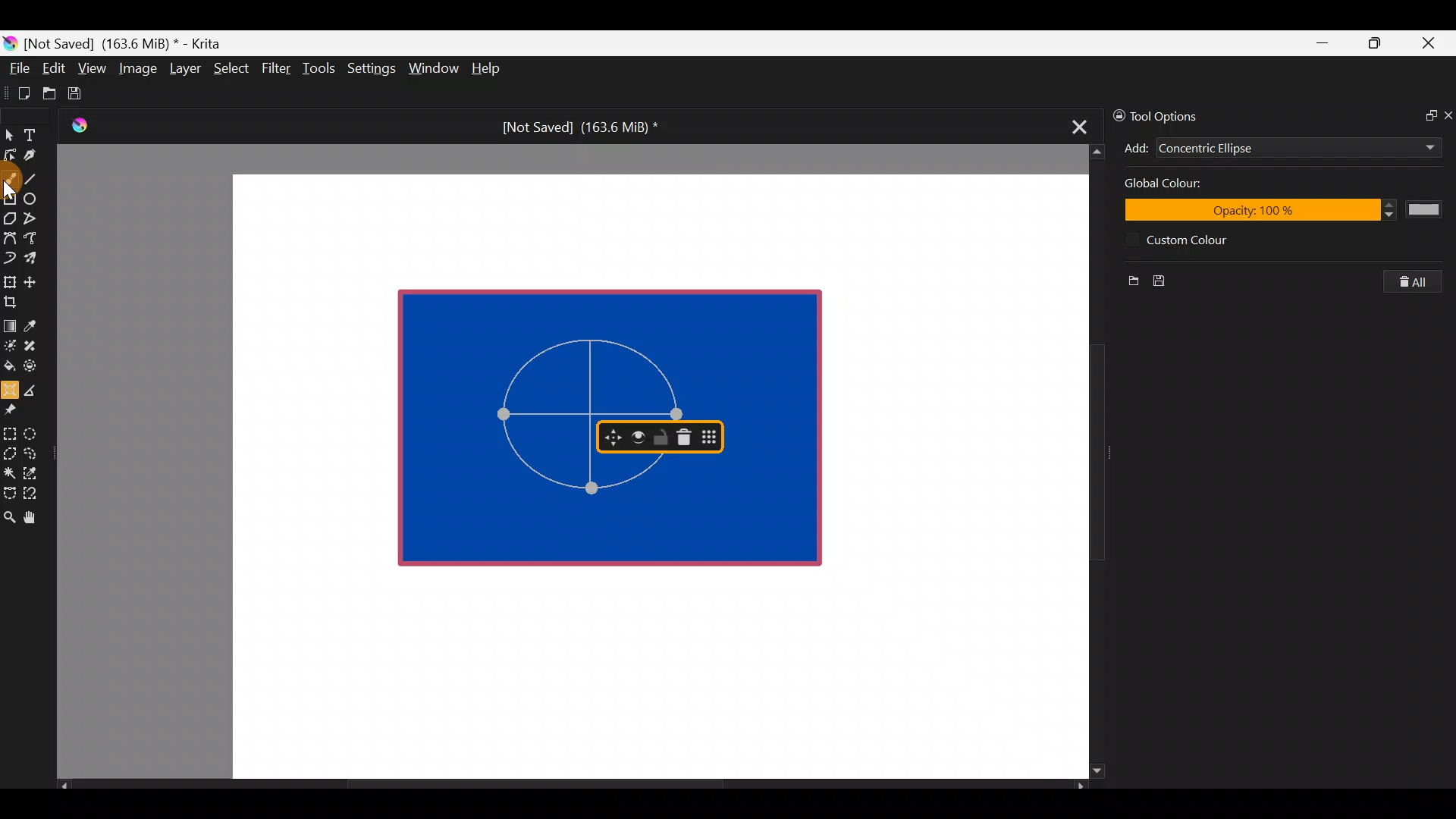 The width and height of the screenshot is (1456, 819). What do you see at coordinates (1253, 149) in the screenshot?
I see `Concentric Ellipse` at bounding box center [1253, 149].